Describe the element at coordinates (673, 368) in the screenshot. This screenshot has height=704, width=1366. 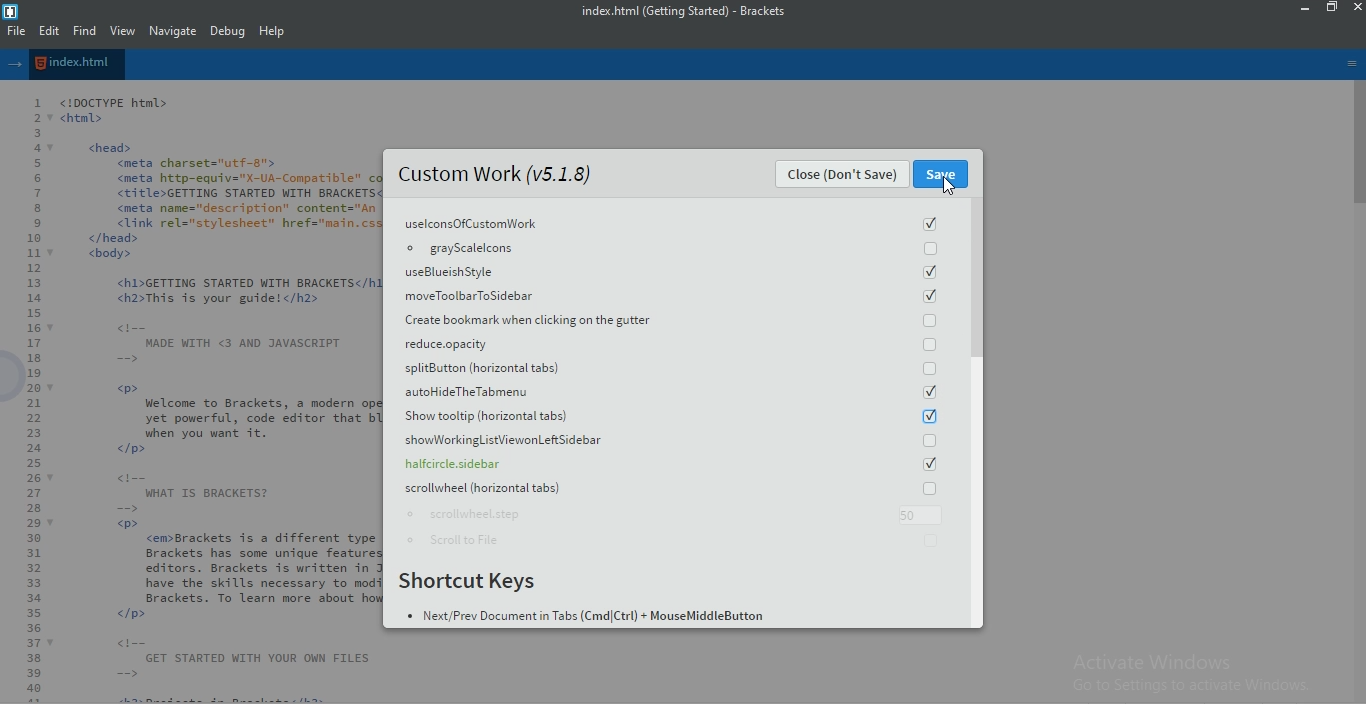
I see `splitButton (horizontal tabs)` at that location.